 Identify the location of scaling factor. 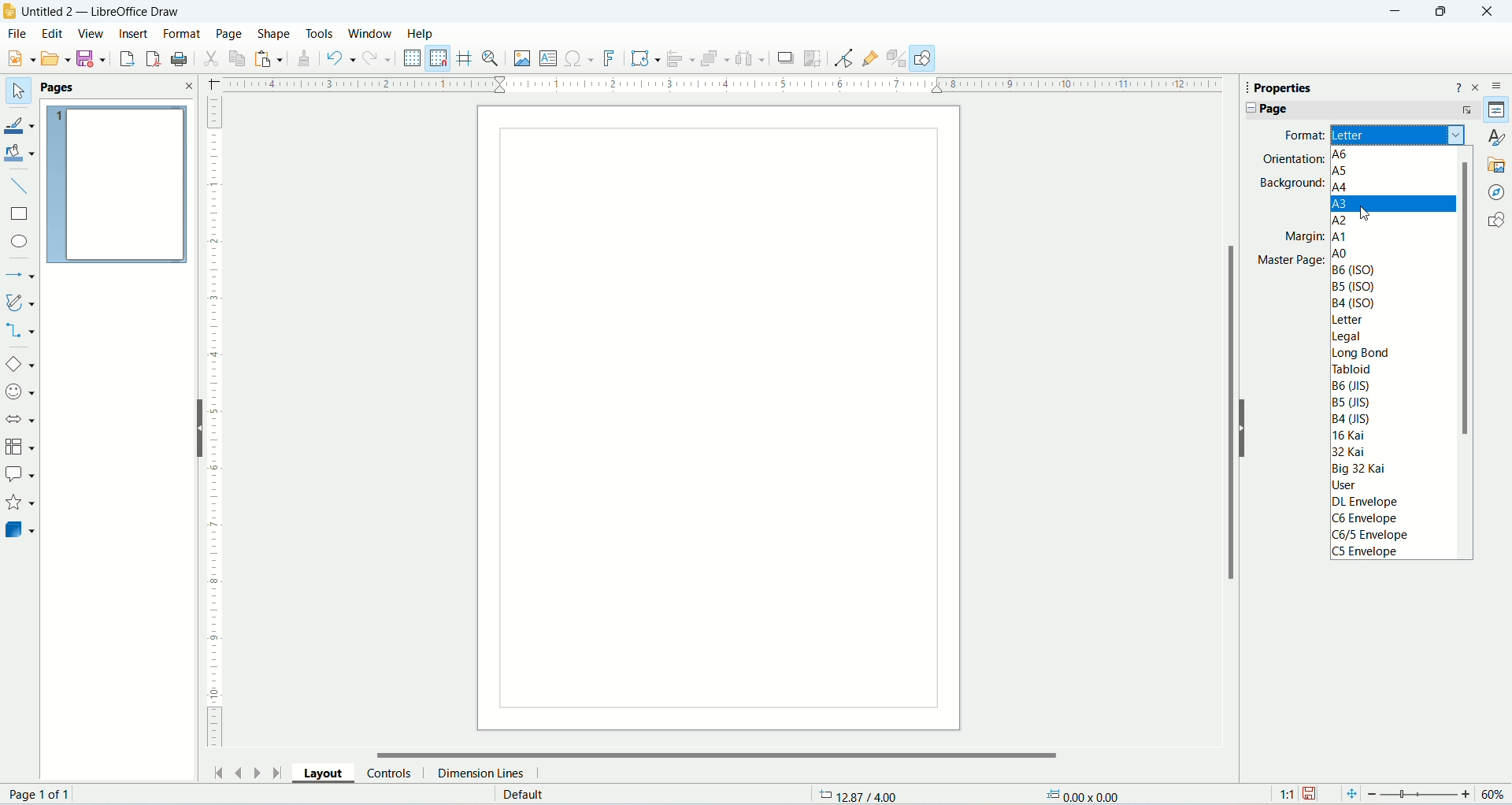
(1284, 795).